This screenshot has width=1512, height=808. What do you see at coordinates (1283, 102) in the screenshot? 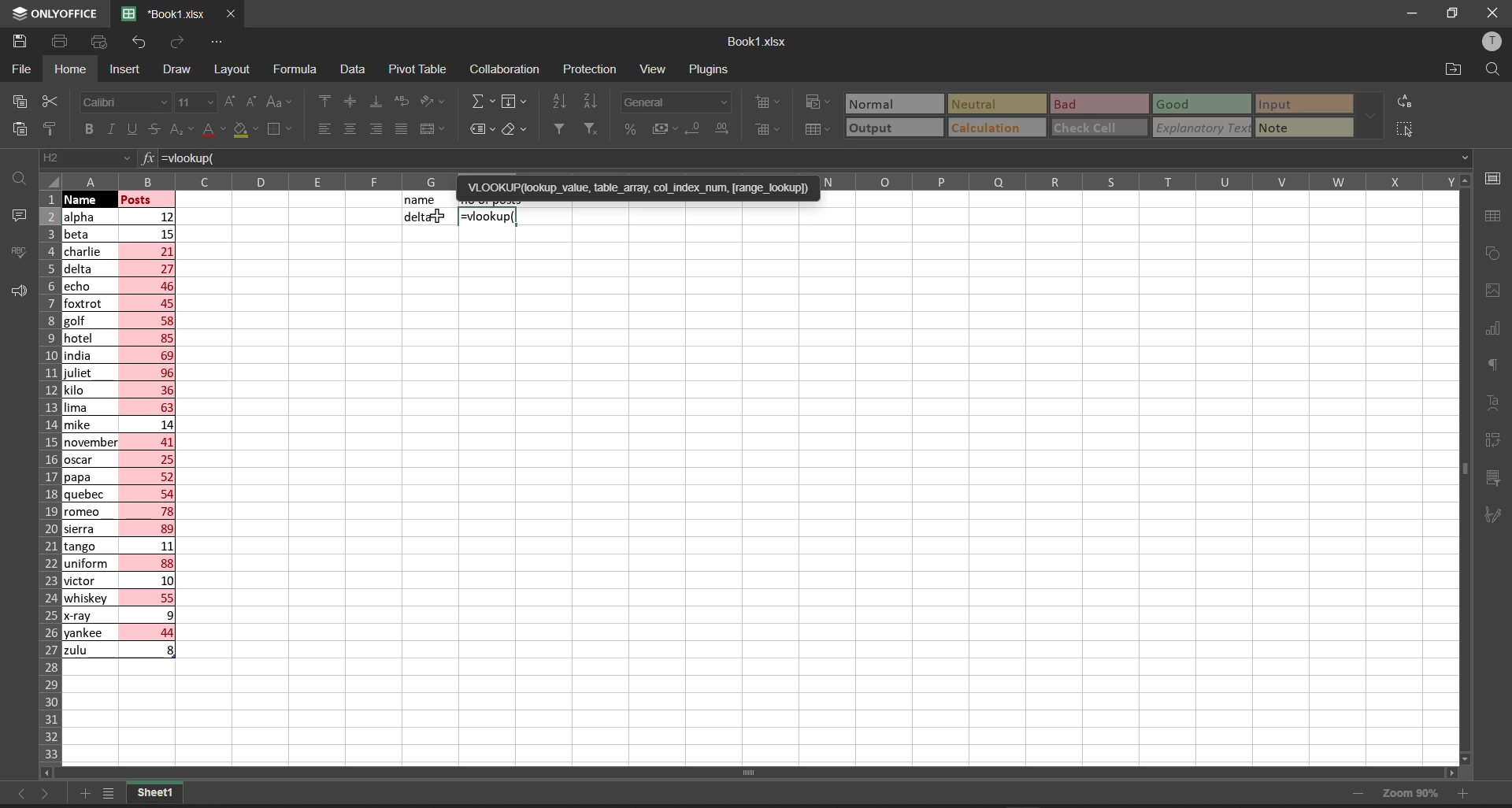
I see `input` at bounding box center [1283, 102].